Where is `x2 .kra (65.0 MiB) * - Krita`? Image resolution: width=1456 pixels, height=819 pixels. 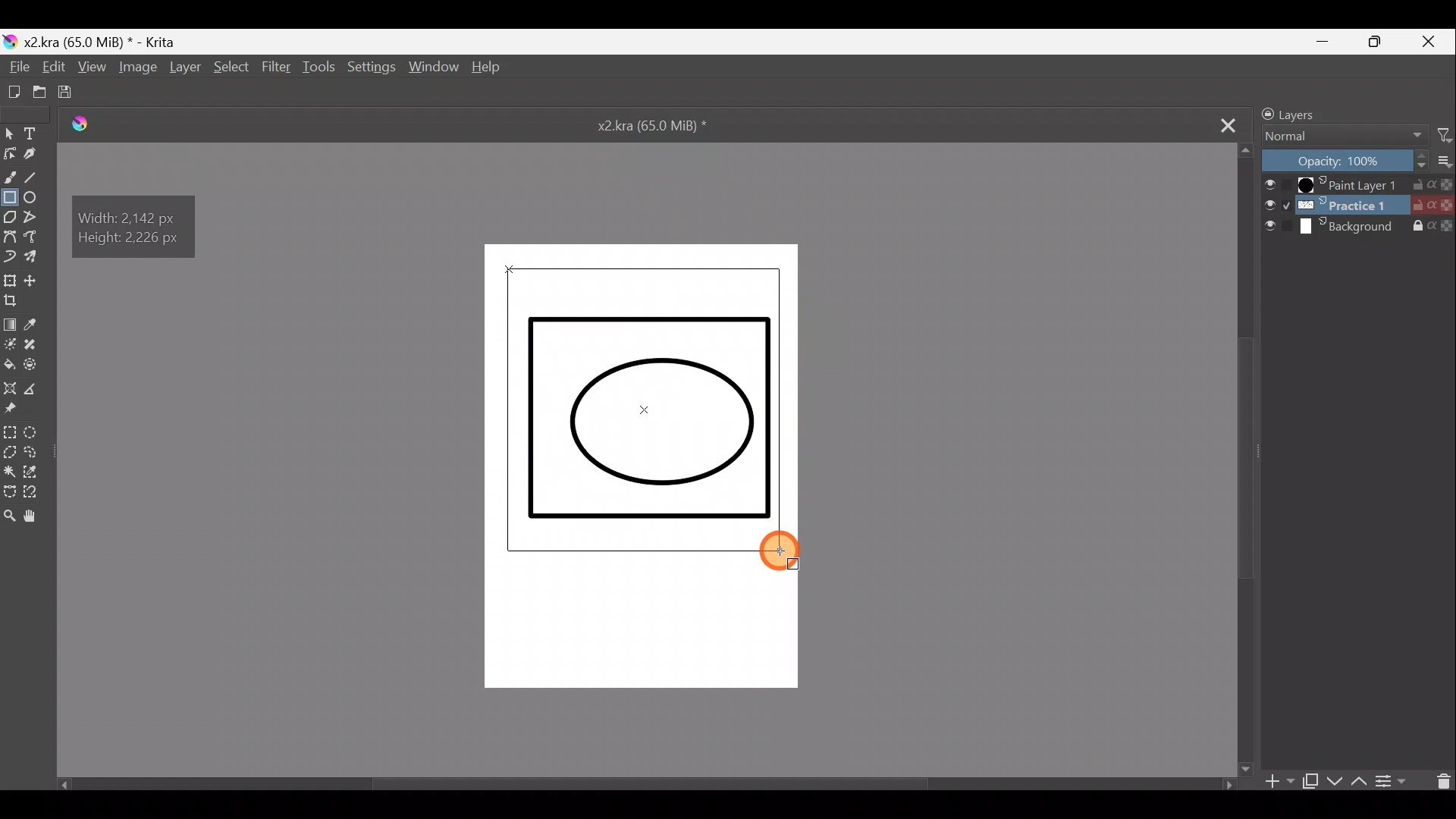 x2 .kra (65.0 MiB) * - Krita is located at coordinates (112, 42).